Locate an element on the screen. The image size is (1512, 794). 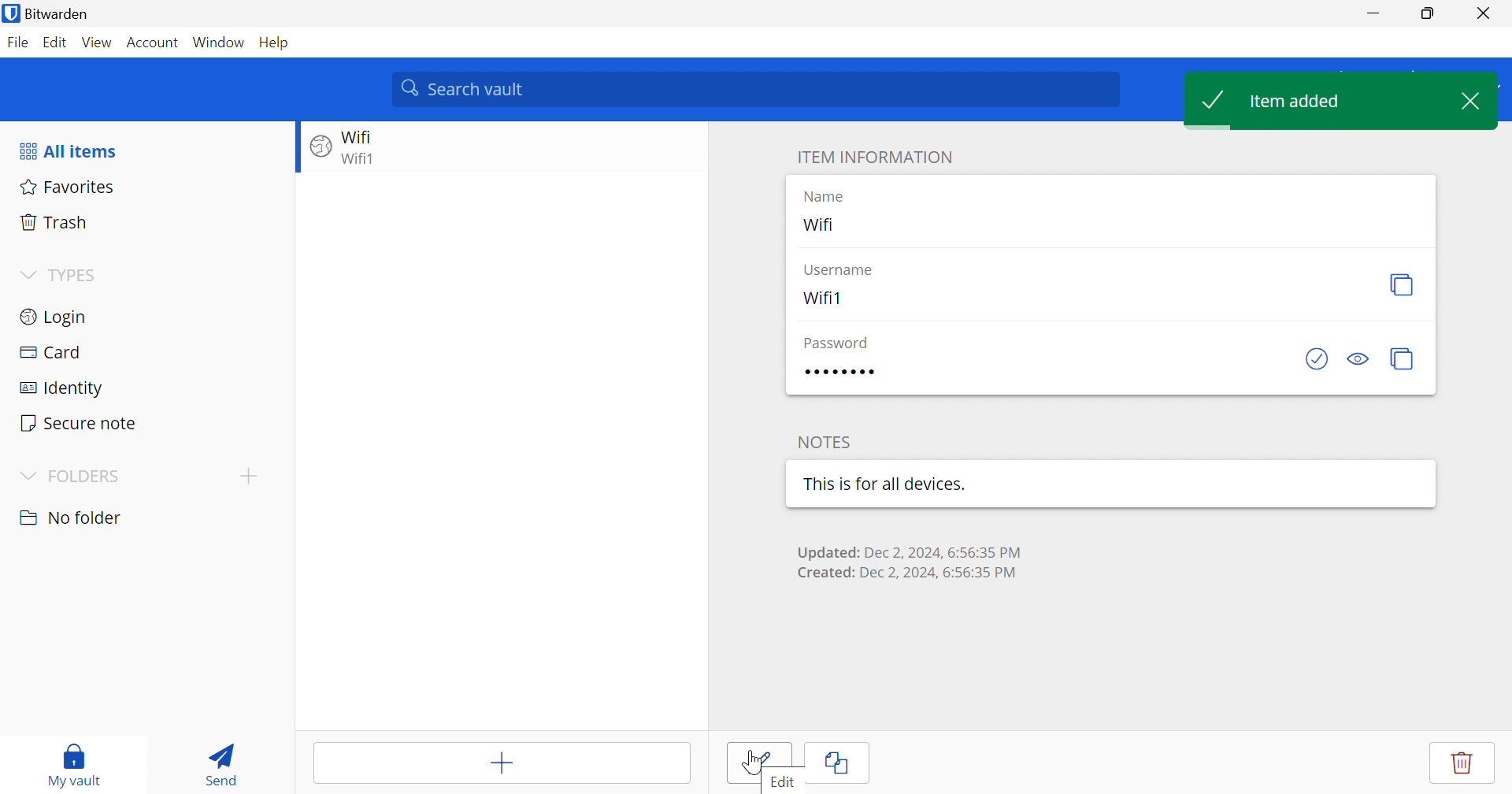
Delete is located at coordinates (1466, 761).